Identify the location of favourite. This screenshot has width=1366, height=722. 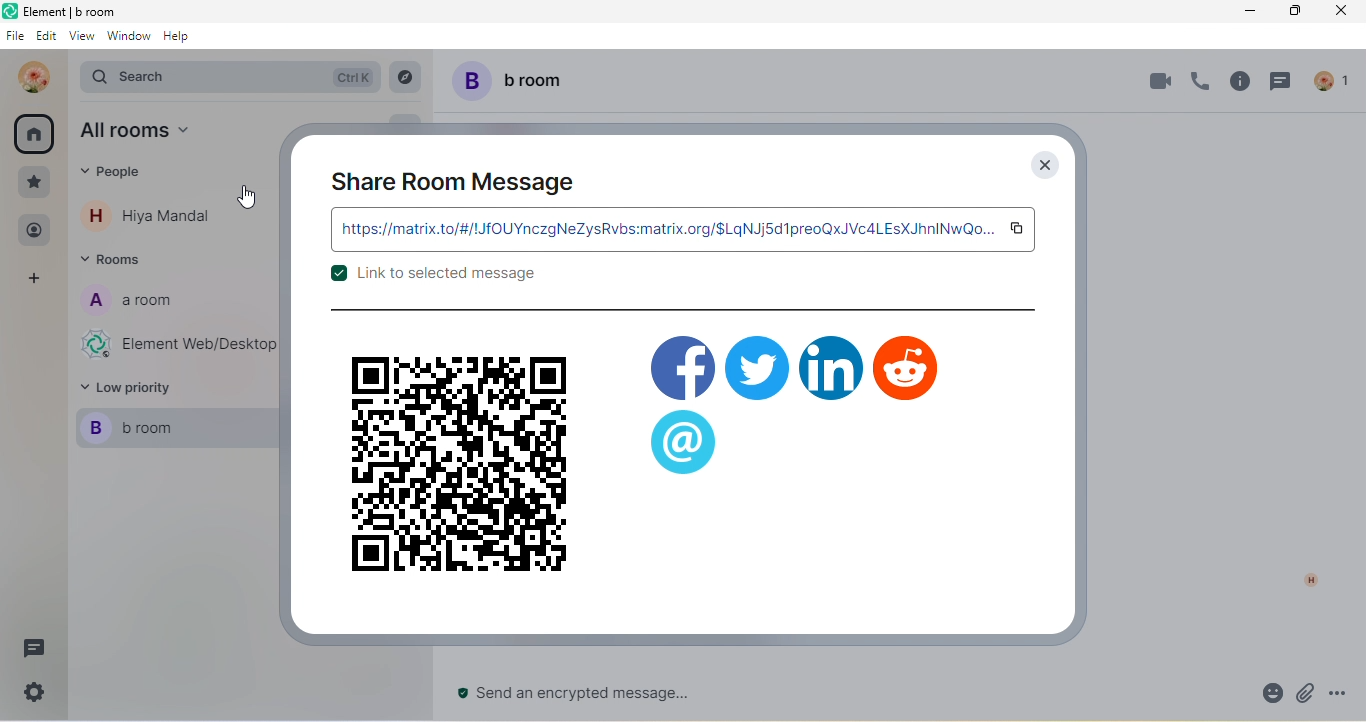
(35, 182).